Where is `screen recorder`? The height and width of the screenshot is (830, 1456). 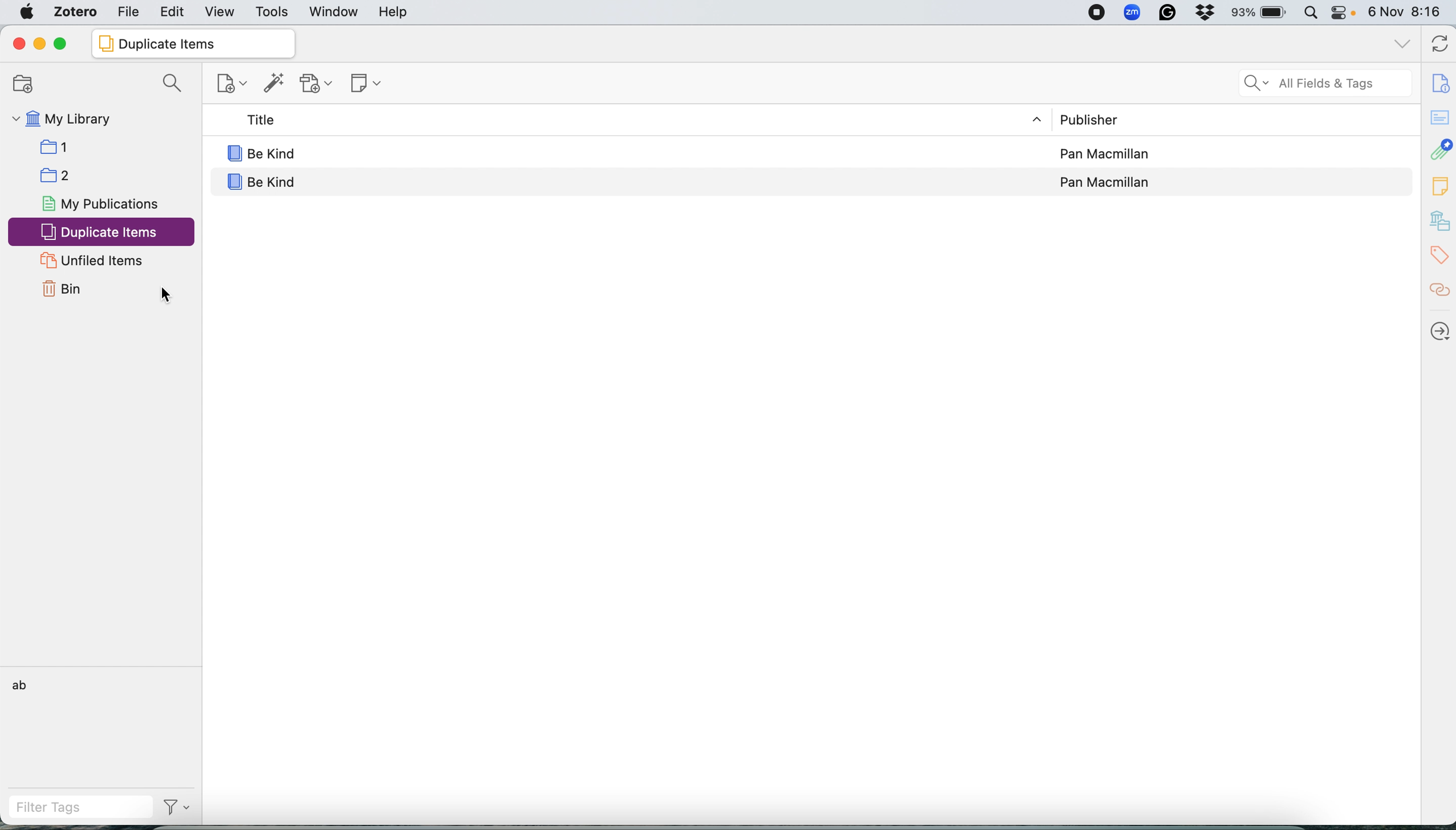 screen recorder is located at coordinates (1098, 13).